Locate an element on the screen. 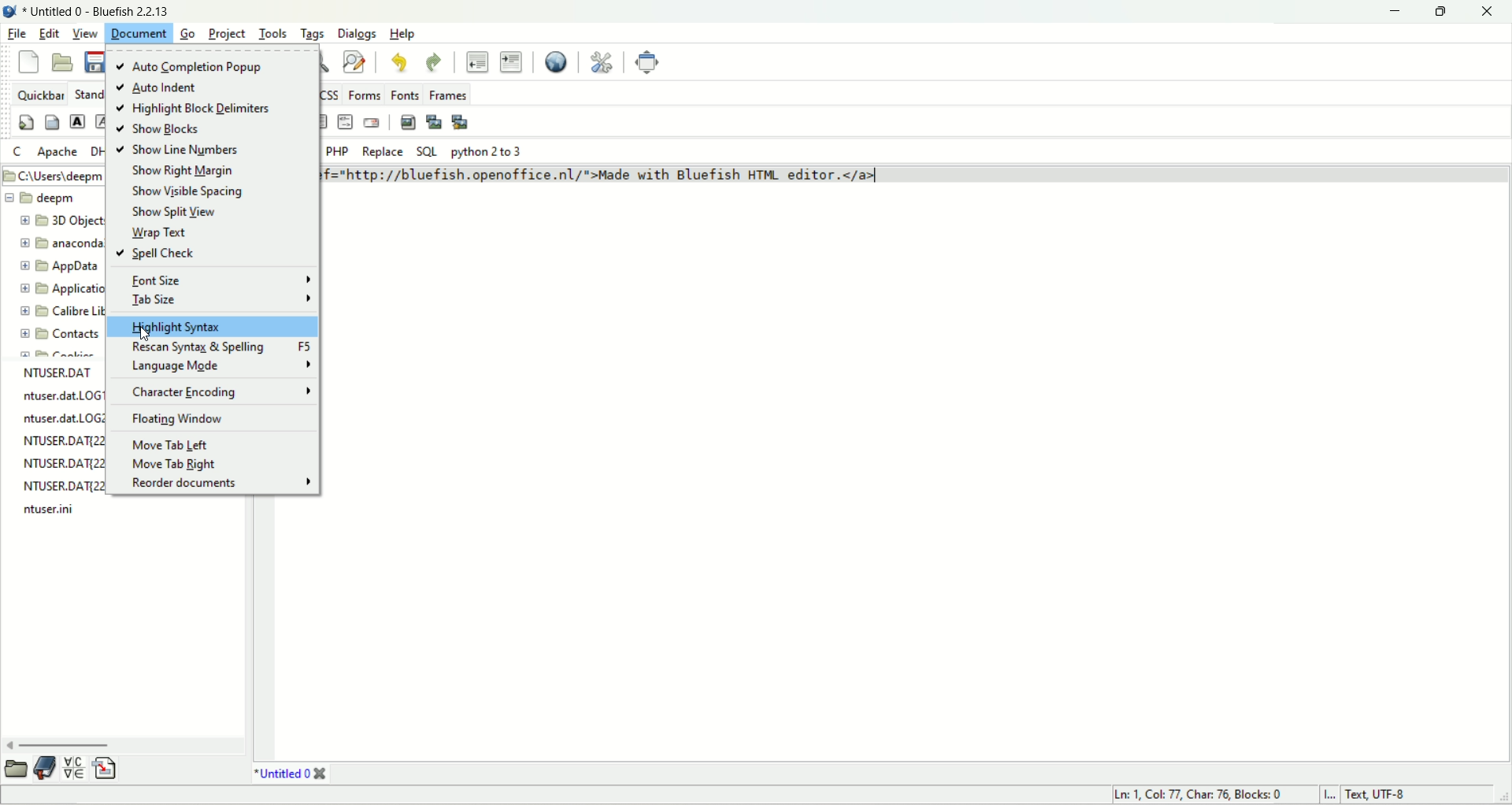 Image resolution: width=1512 pixels, height=805 pixels. character encoding is located at coordinates (223, 391).